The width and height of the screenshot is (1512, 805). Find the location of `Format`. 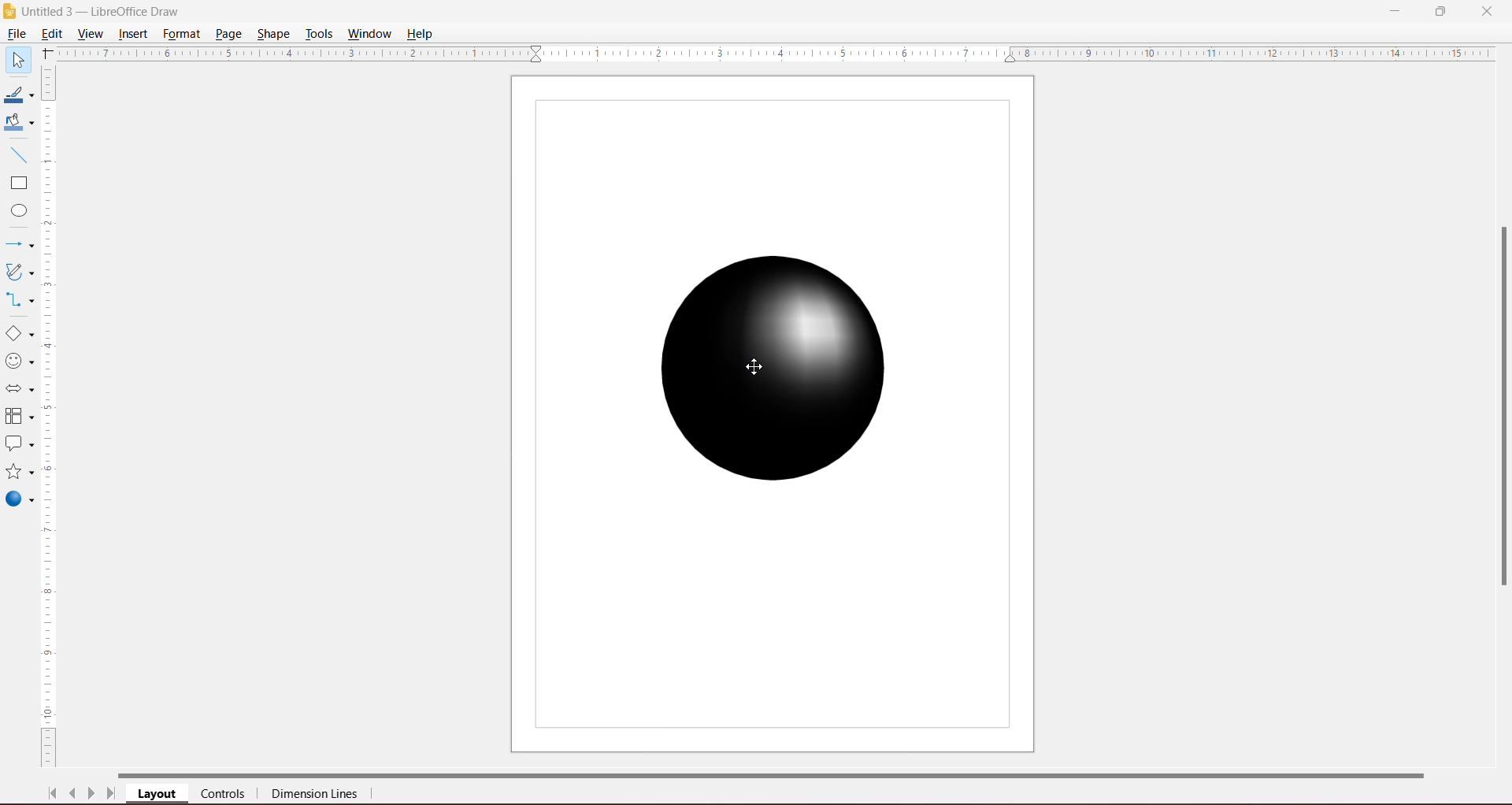

Format is located at coordinates (181, 34).